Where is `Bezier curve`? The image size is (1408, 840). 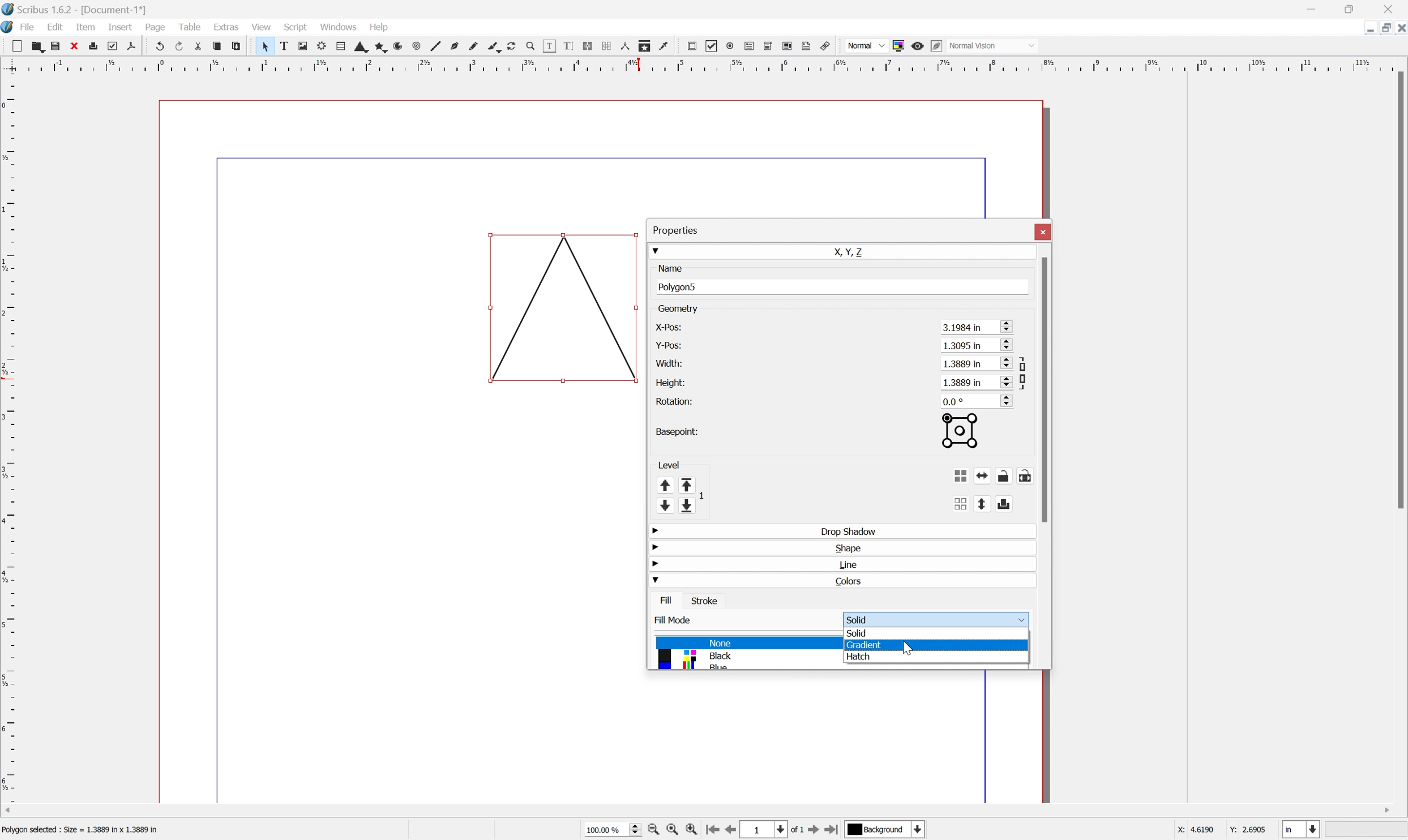
Bezier curve is located at coordinates (453, 45).